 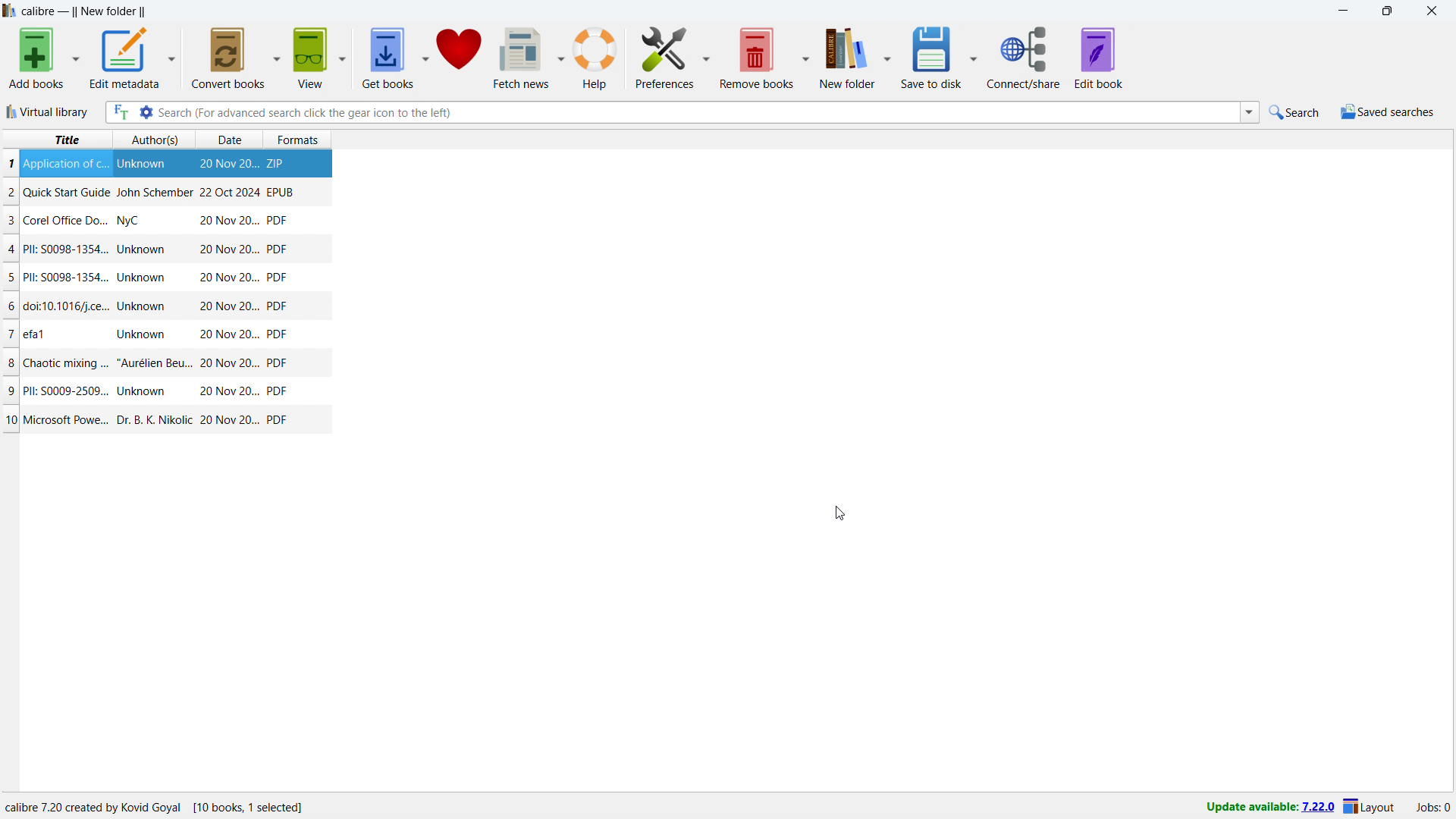 What do you see at coordinates (143, 250) in the screenshot?
I see `Author` at bounding box center [143, 250].